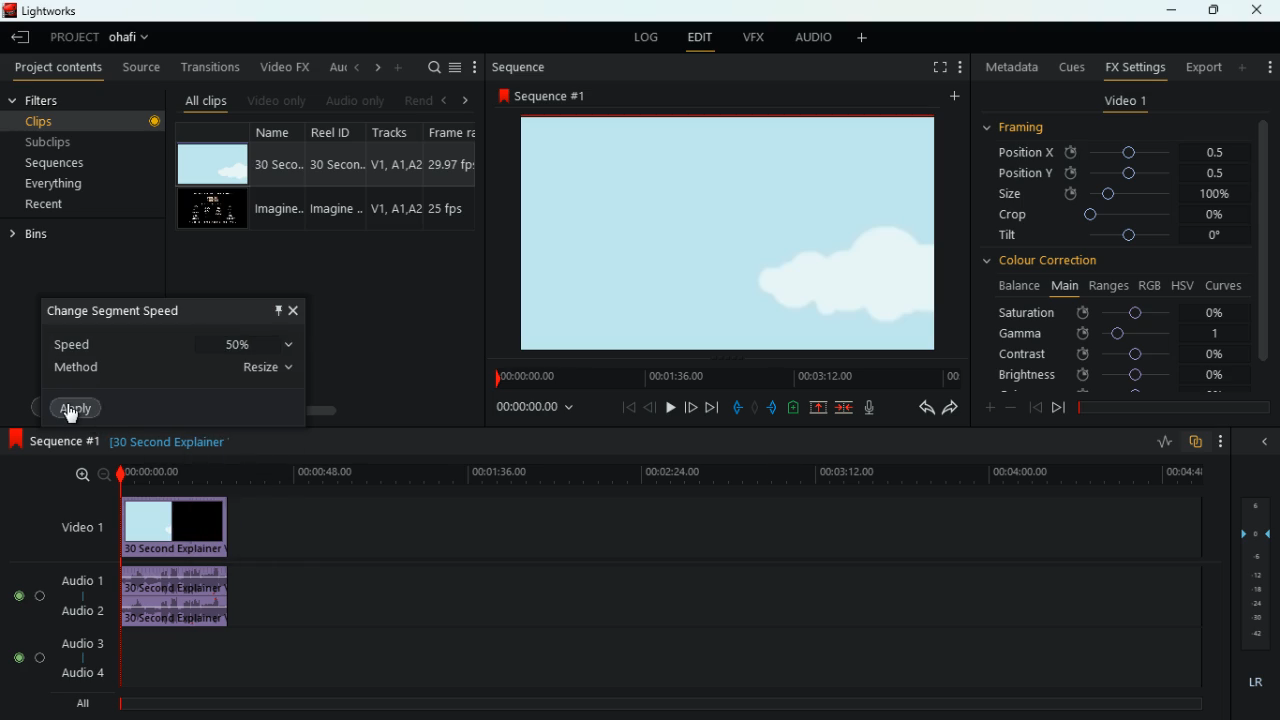 This screenshot has height=720, width=1280. Describe the element at coordinates (214, 164) in the screenshot. I see `video` at that location.